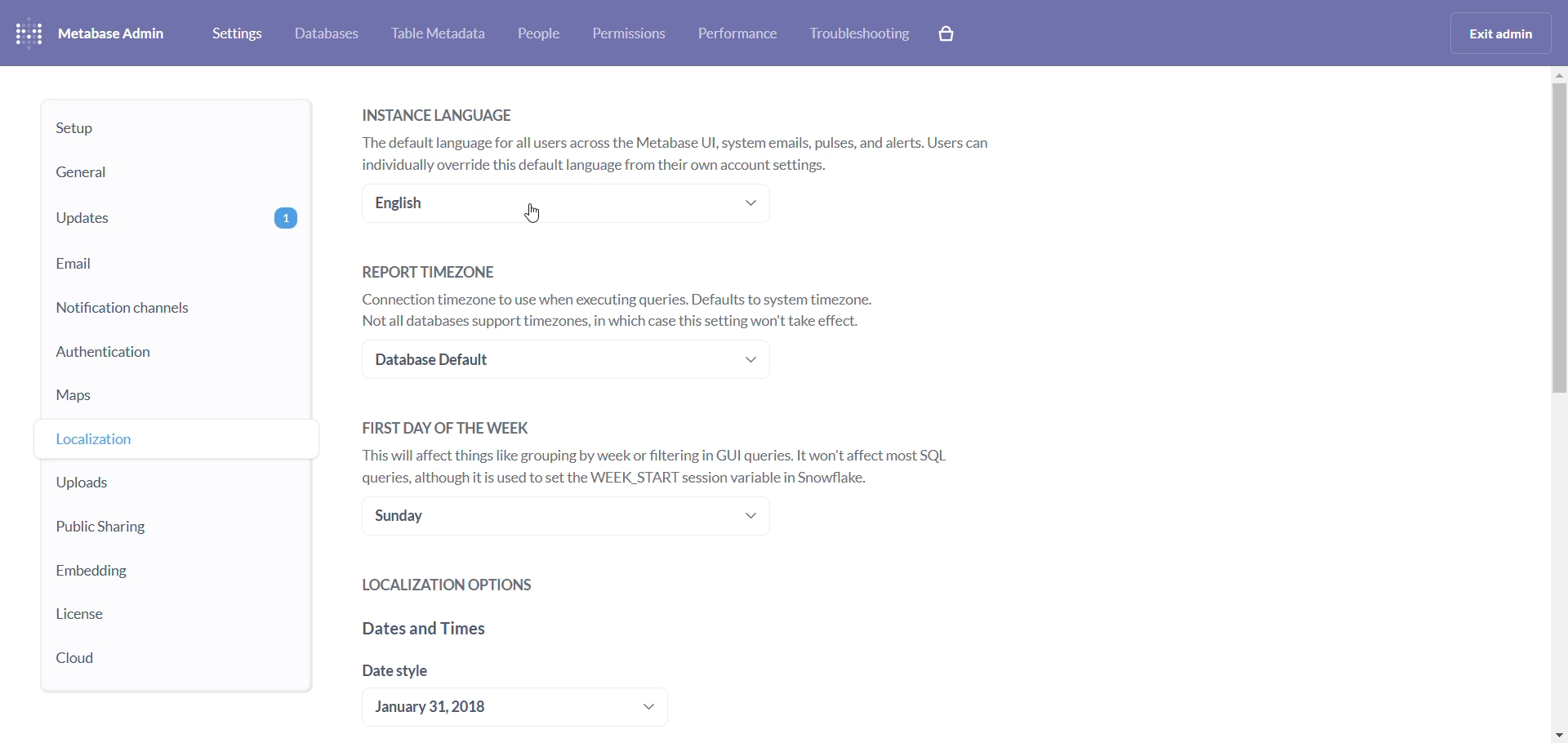 The height and width of the screenshot is (743, 1568). Describe the element at coordinates (325, 33) in the screenshot. I see `databases` at that location.